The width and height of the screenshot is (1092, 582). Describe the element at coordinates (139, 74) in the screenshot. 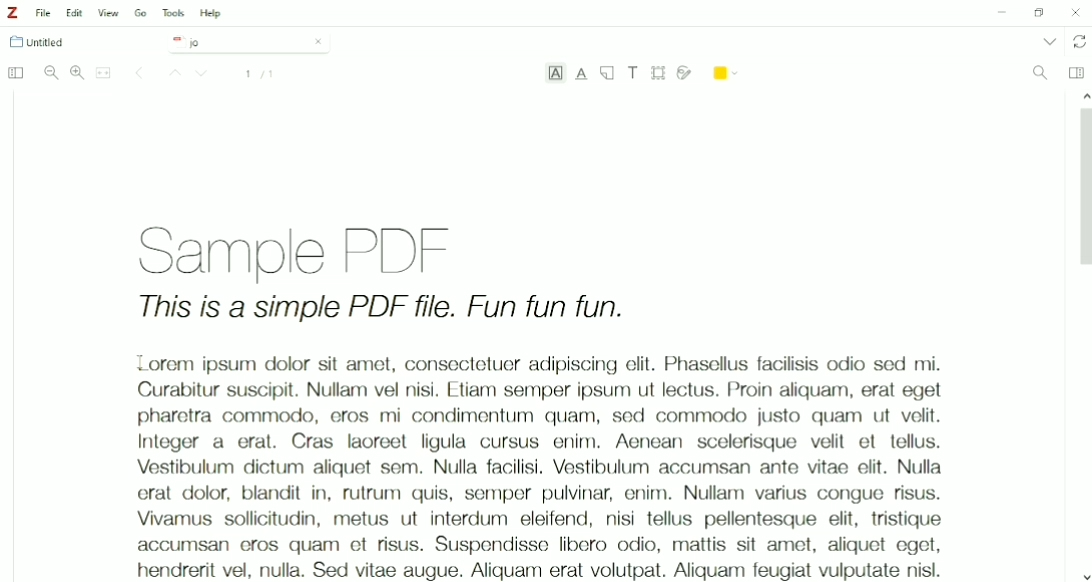

I see `Change Page` at that location.